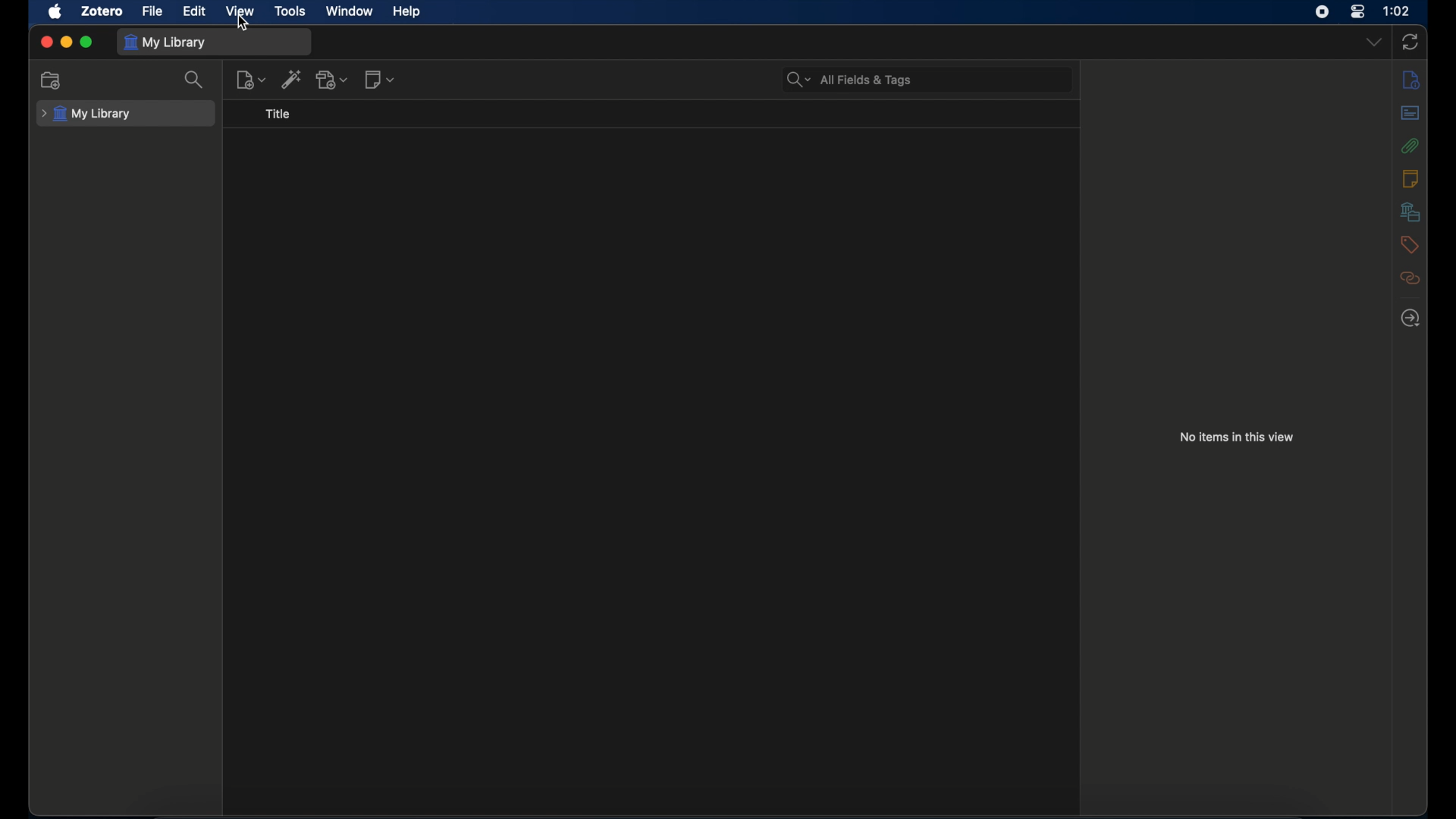 This screenshot has height=819, width=1456. What do you see at coordinates (1323, 12) in the screenshot?
I see `screen recorder` at bounding box center [1323, 12].